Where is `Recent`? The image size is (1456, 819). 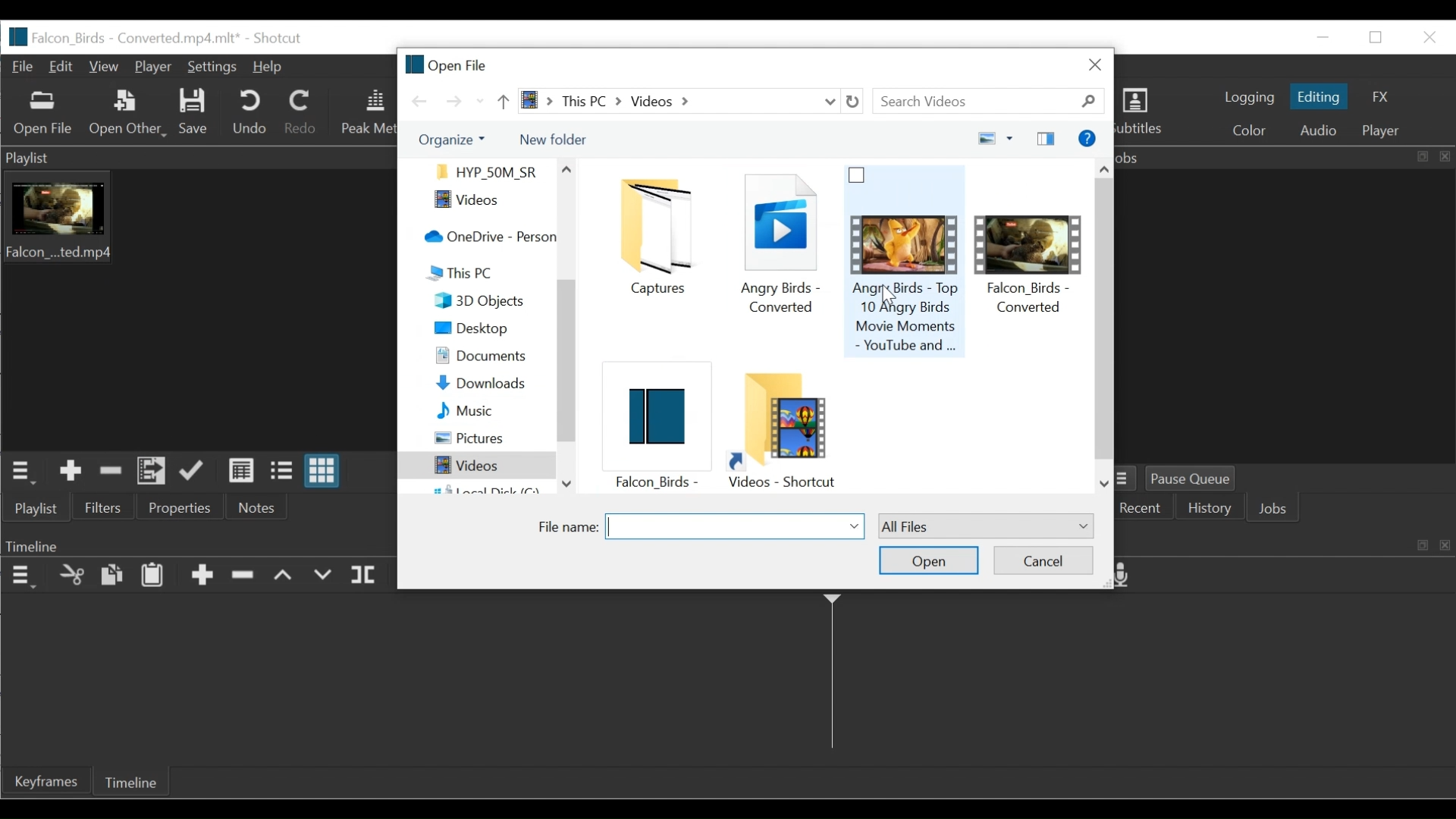 Recent is located at coordinates (1141, 510).